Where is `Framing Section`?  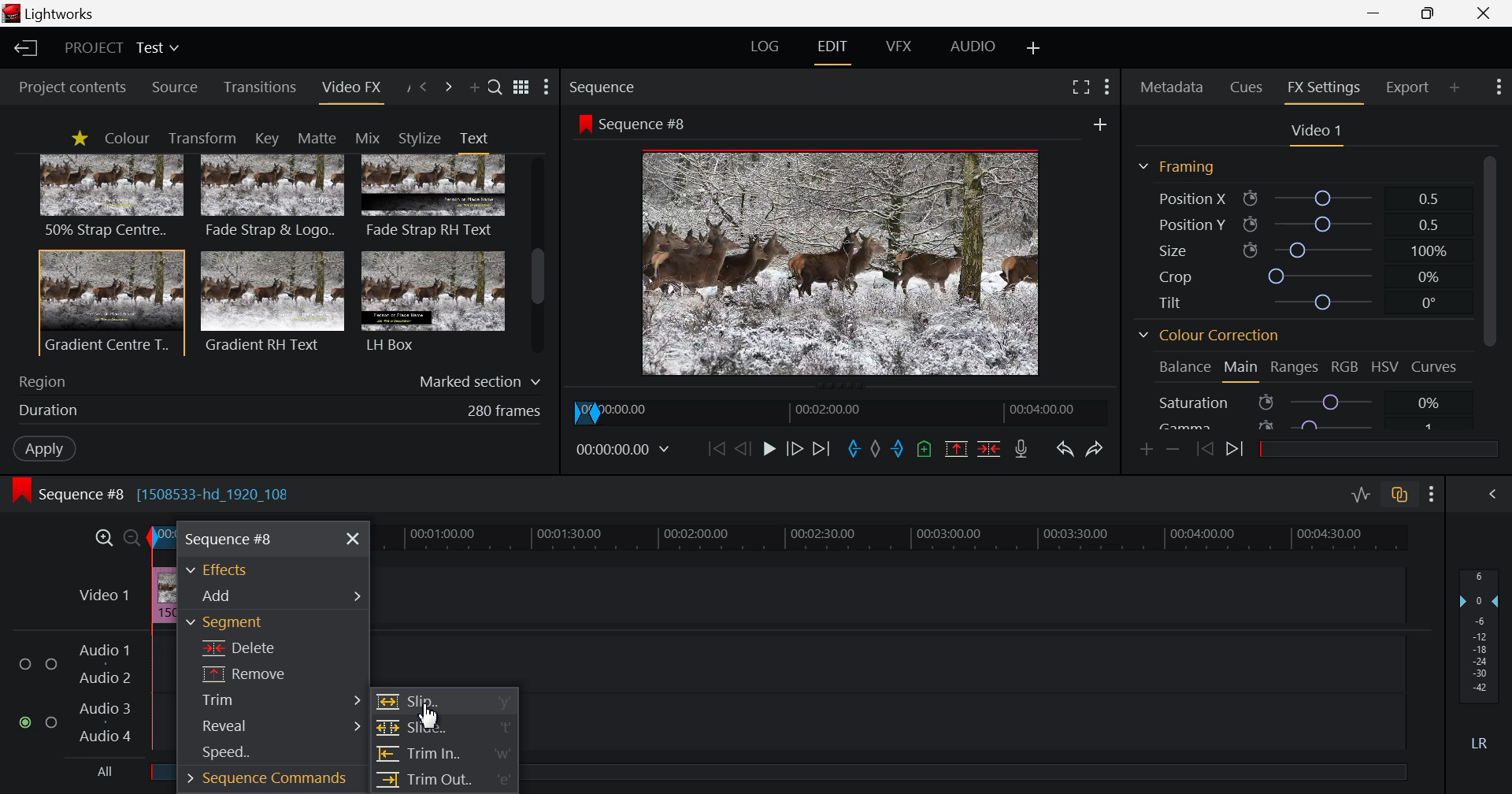
Framing Section is located at coordinates (1183, 166).